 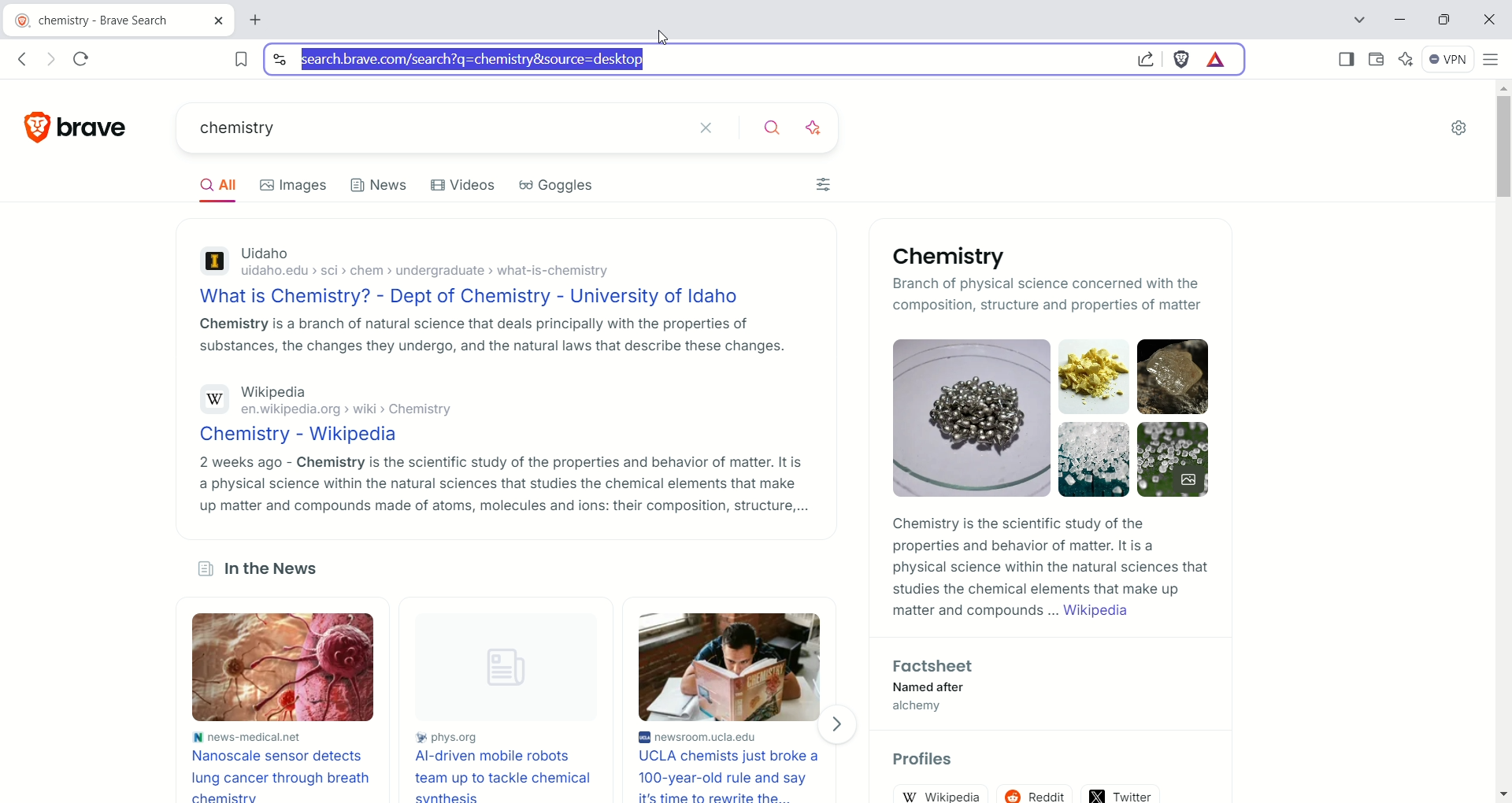 I want to click on go back, so click(x=24, y=58).